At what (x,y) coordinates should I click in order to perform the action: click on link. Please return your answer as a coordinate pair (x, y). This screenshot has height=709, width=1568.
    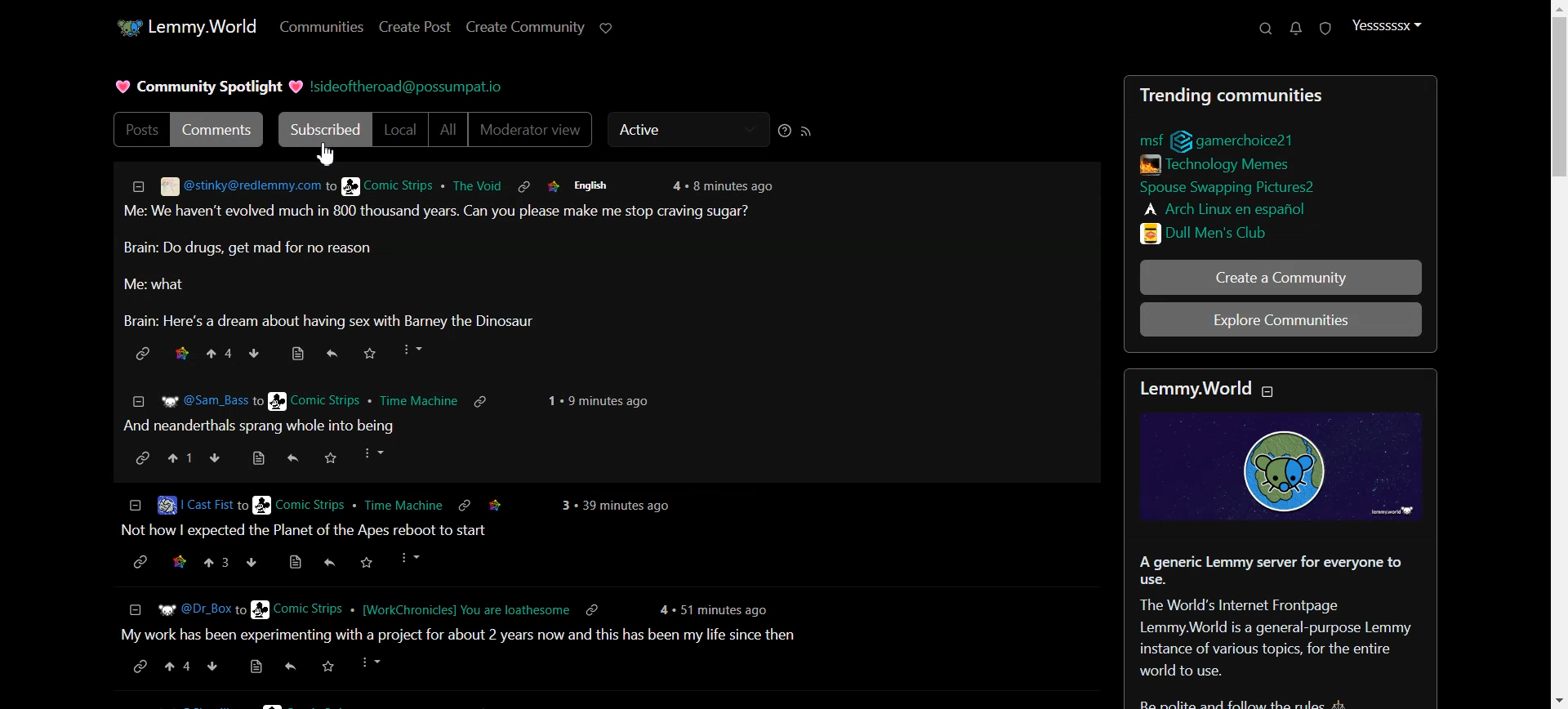
    Looking at the image, I should click on (465, 505).